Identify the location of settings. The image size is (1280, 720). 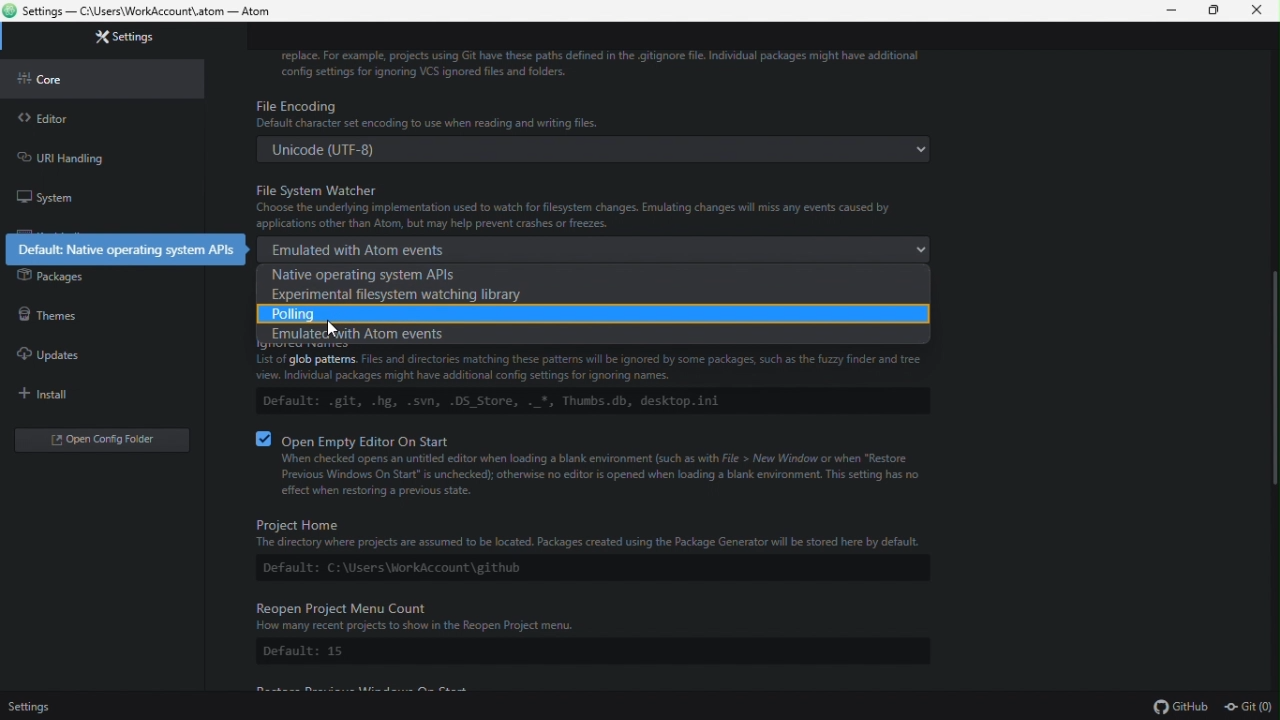
(29, 708).